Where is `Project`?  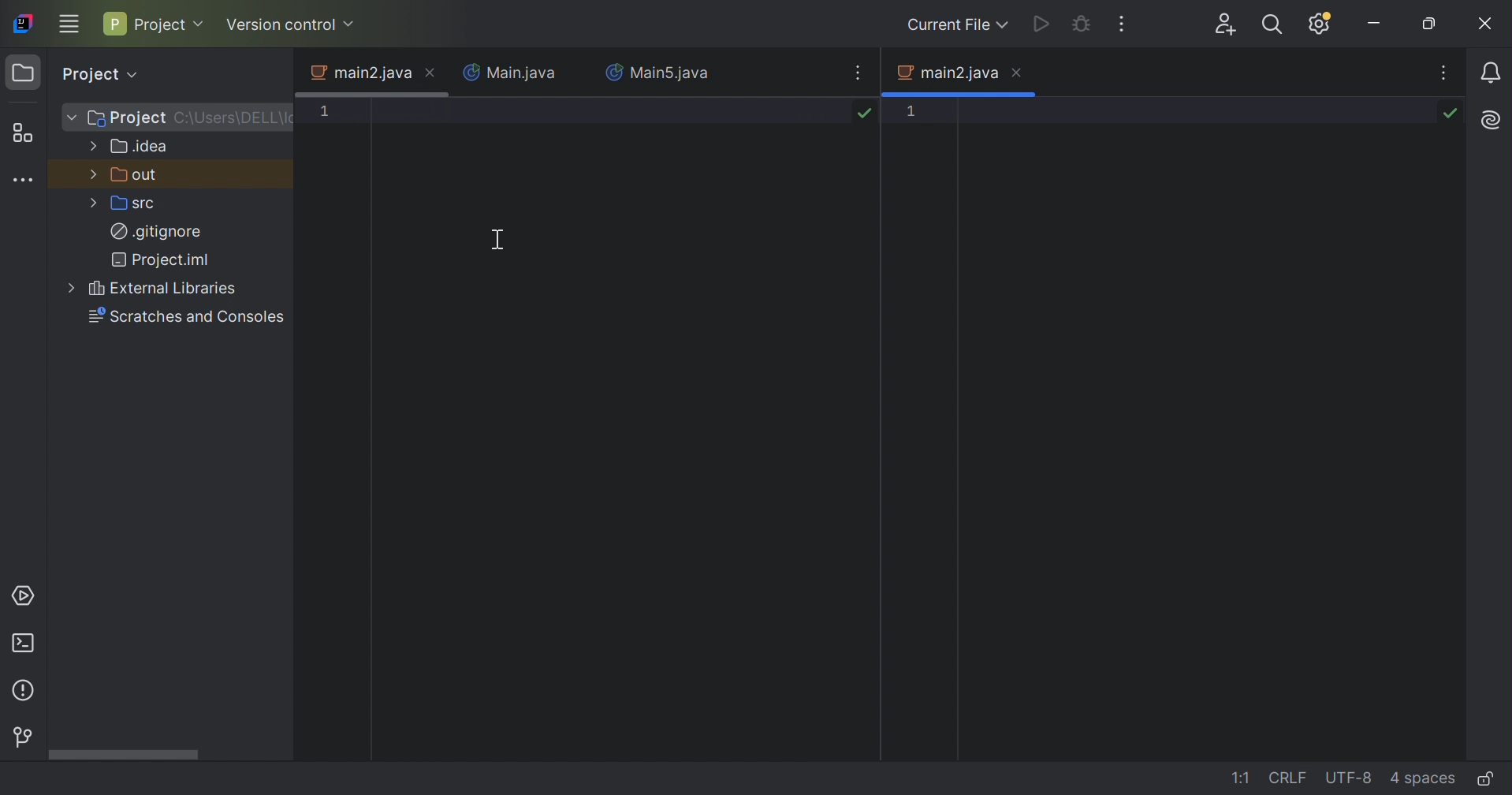 Project is located at coordinates (155, 23).